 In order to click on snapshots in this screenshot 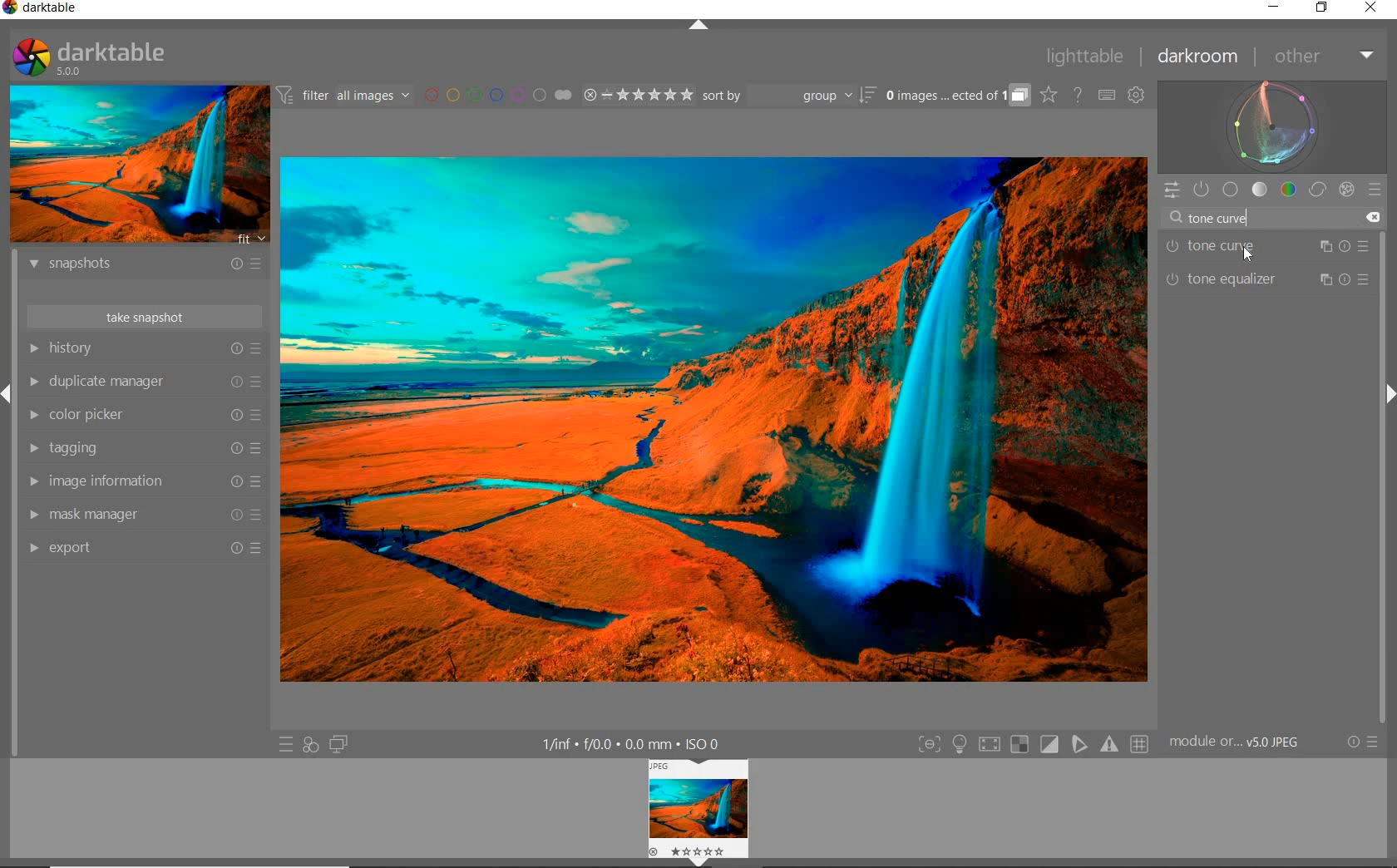, I will do `click(149, 266)`.